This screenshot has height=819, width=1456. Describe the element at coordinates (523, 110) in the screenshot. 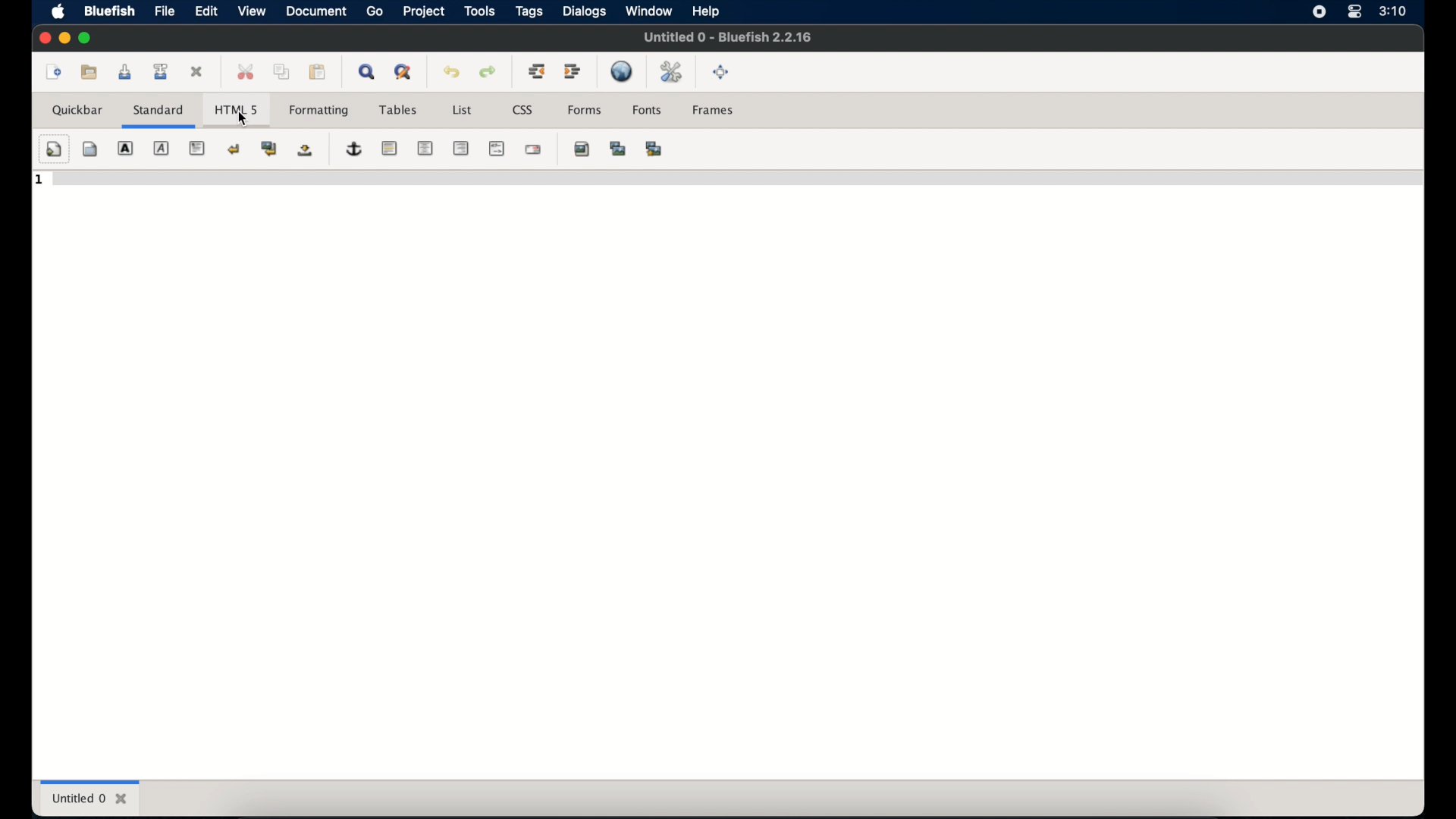

I see `css` at that location.